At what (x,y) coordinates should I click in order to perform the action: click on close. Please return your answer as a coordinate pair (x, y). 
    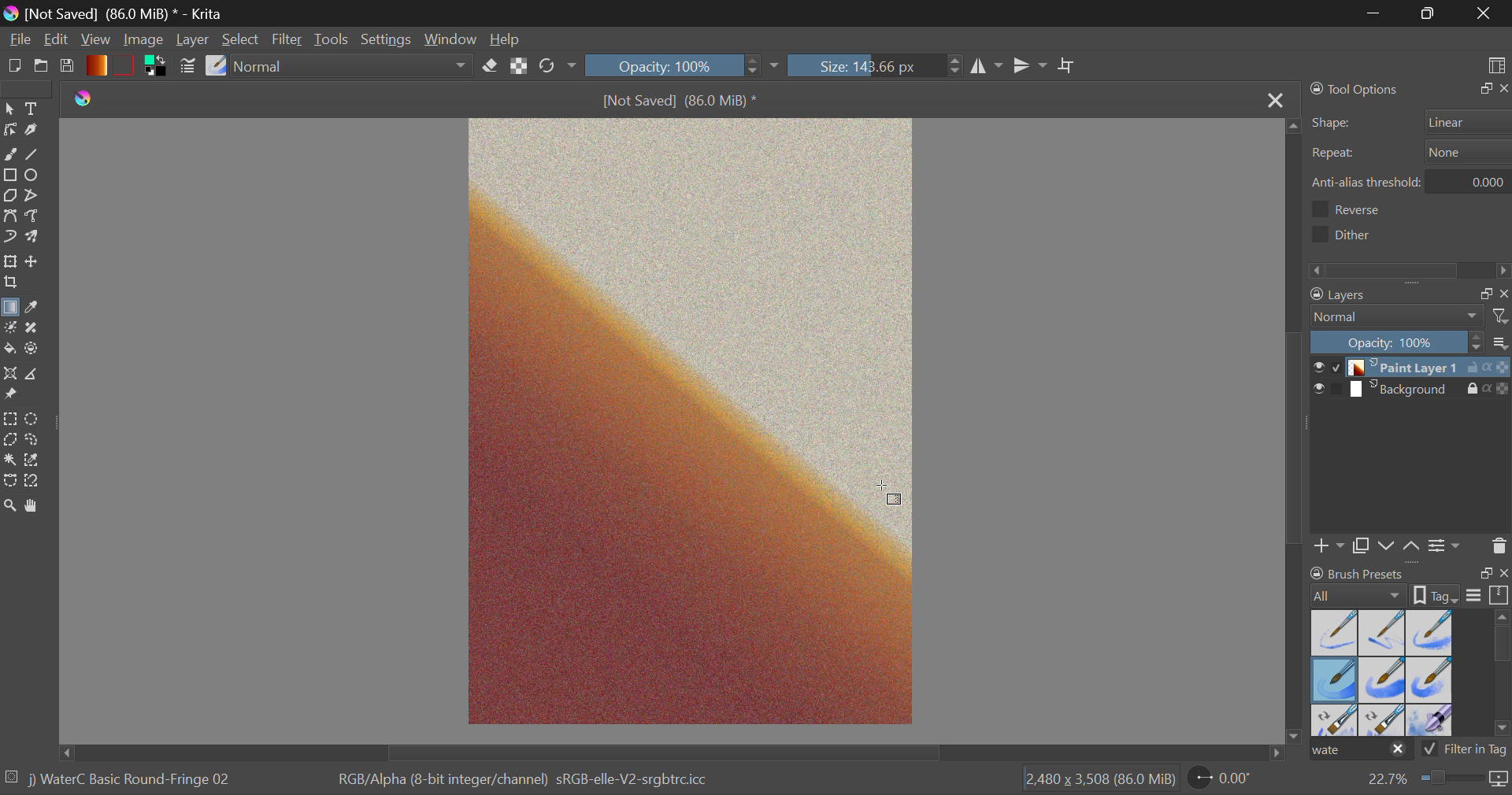
    Looking at the image, I should click on (1503, 89).